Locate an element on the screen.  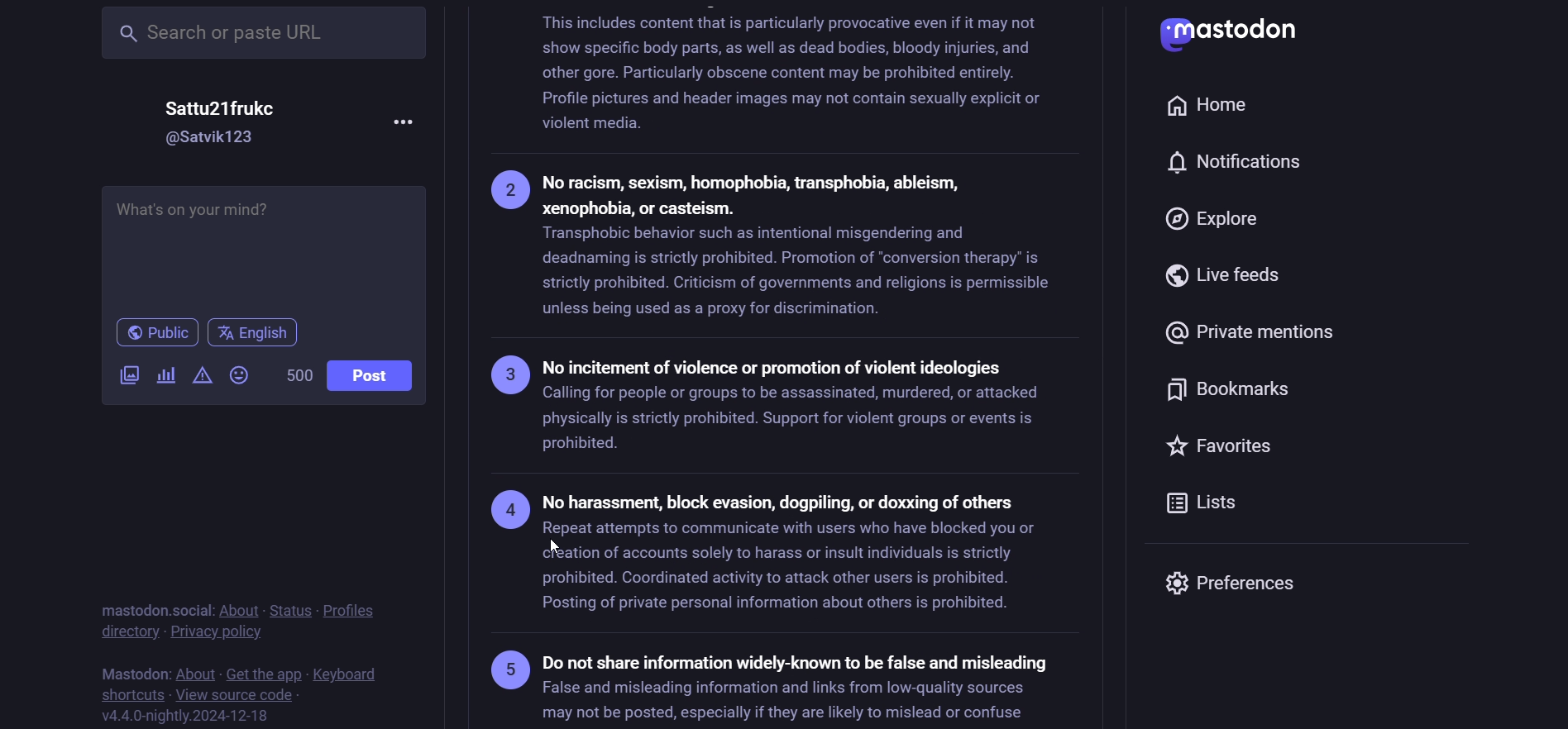
word limit is located at coordinates (296, 375).